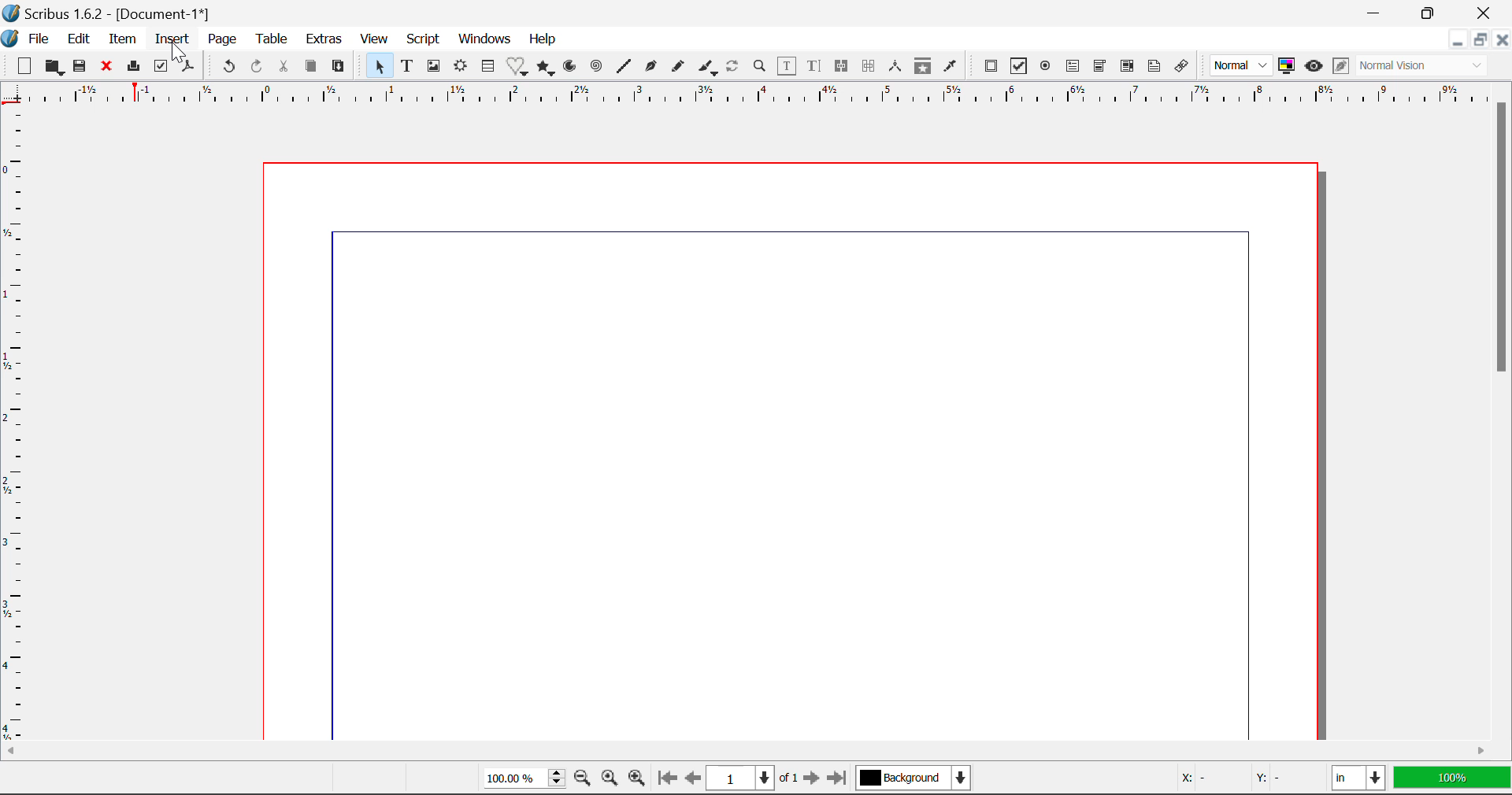  What do you see at coordinates (108, 13) in the screenshot?
I see `Scribus 1.62 - [Document 1*]` at bounding box center [108, 13].